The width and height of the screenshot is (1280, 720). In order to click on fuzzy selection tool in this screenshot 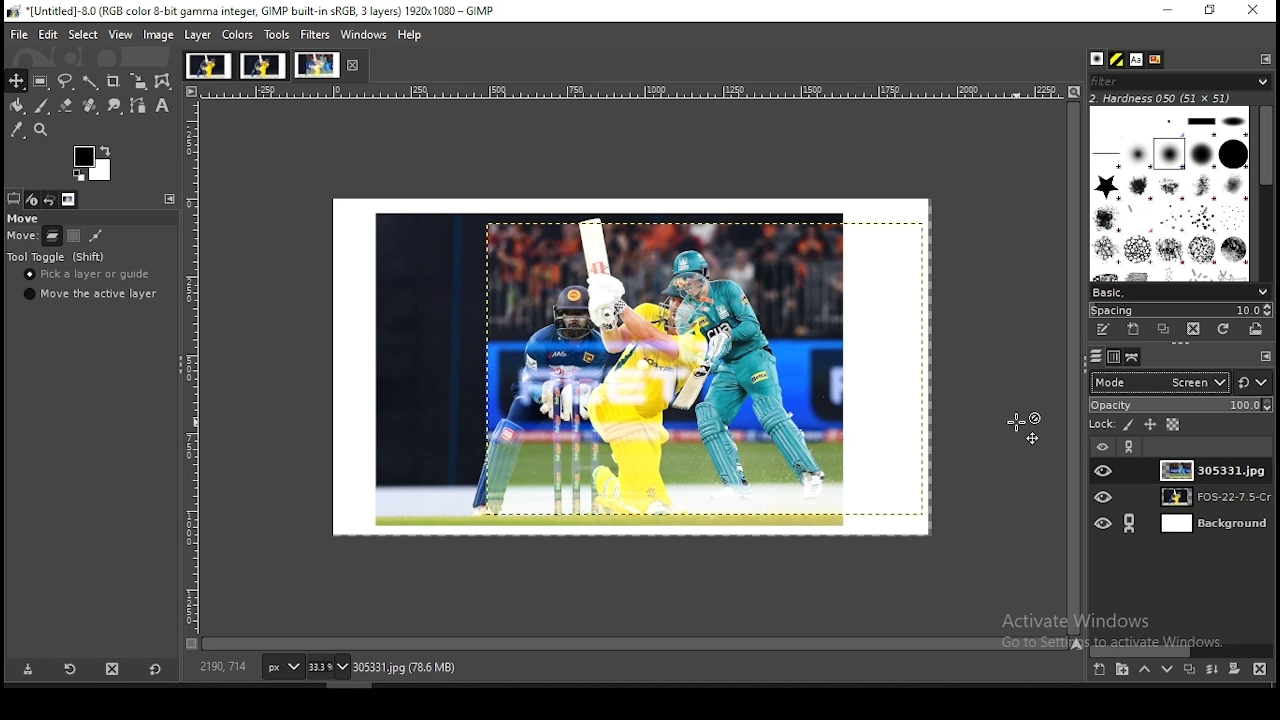, I will do `click(90, 82)`.